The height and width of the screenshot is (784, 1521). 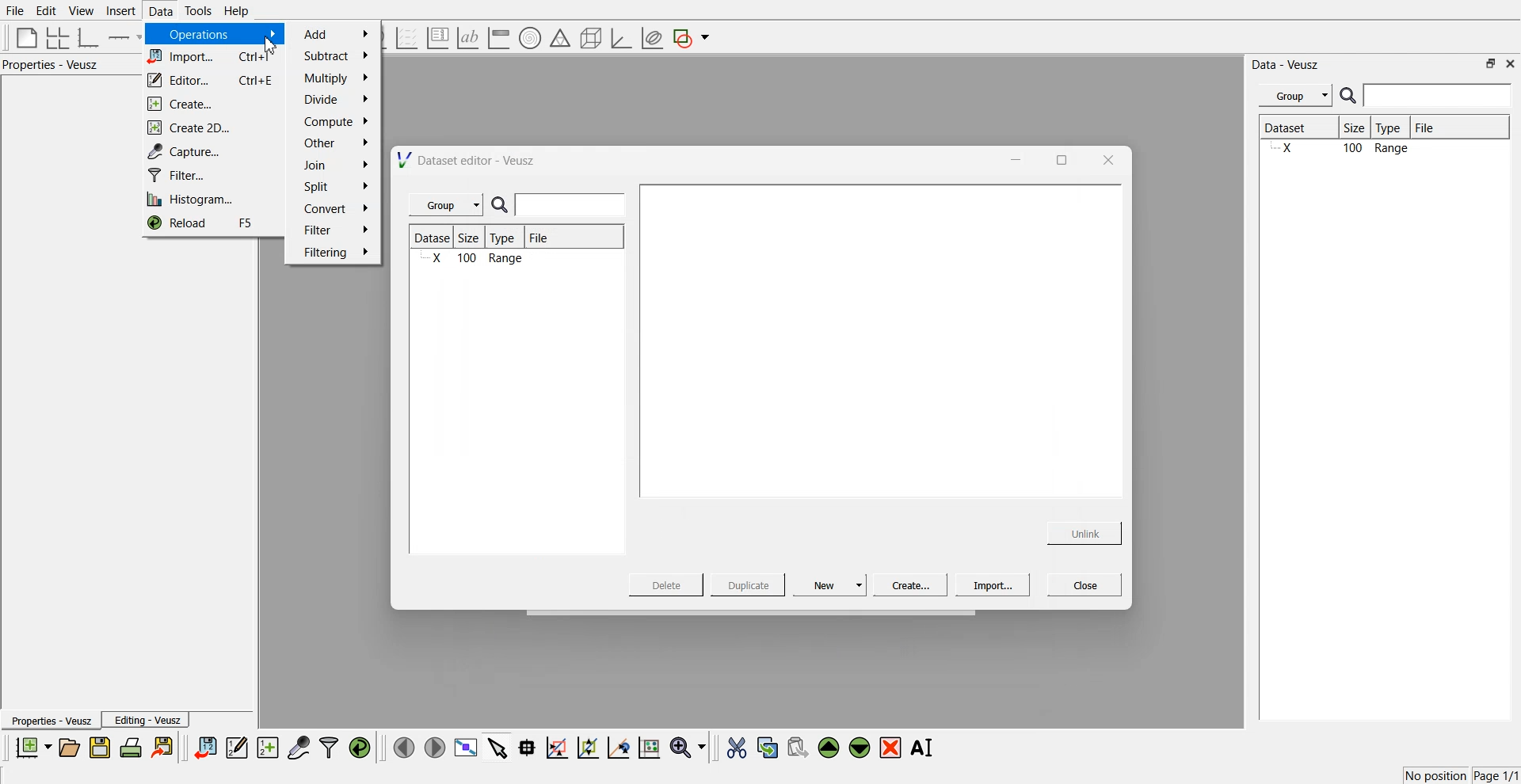 I want to click on search icon, so click(x=1350, y=95).